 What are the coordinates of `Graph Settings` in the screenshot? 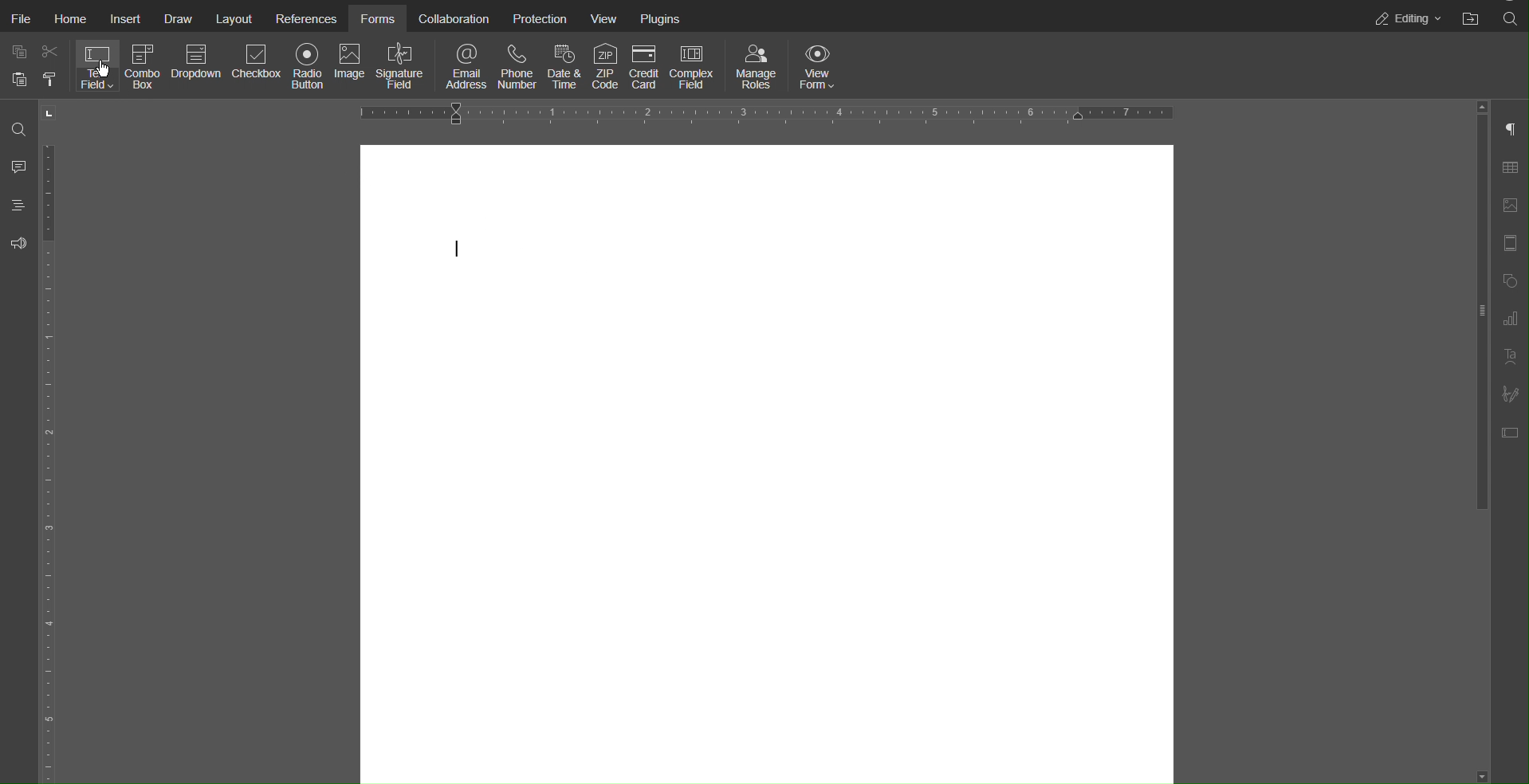 It's located at (1509, 319).